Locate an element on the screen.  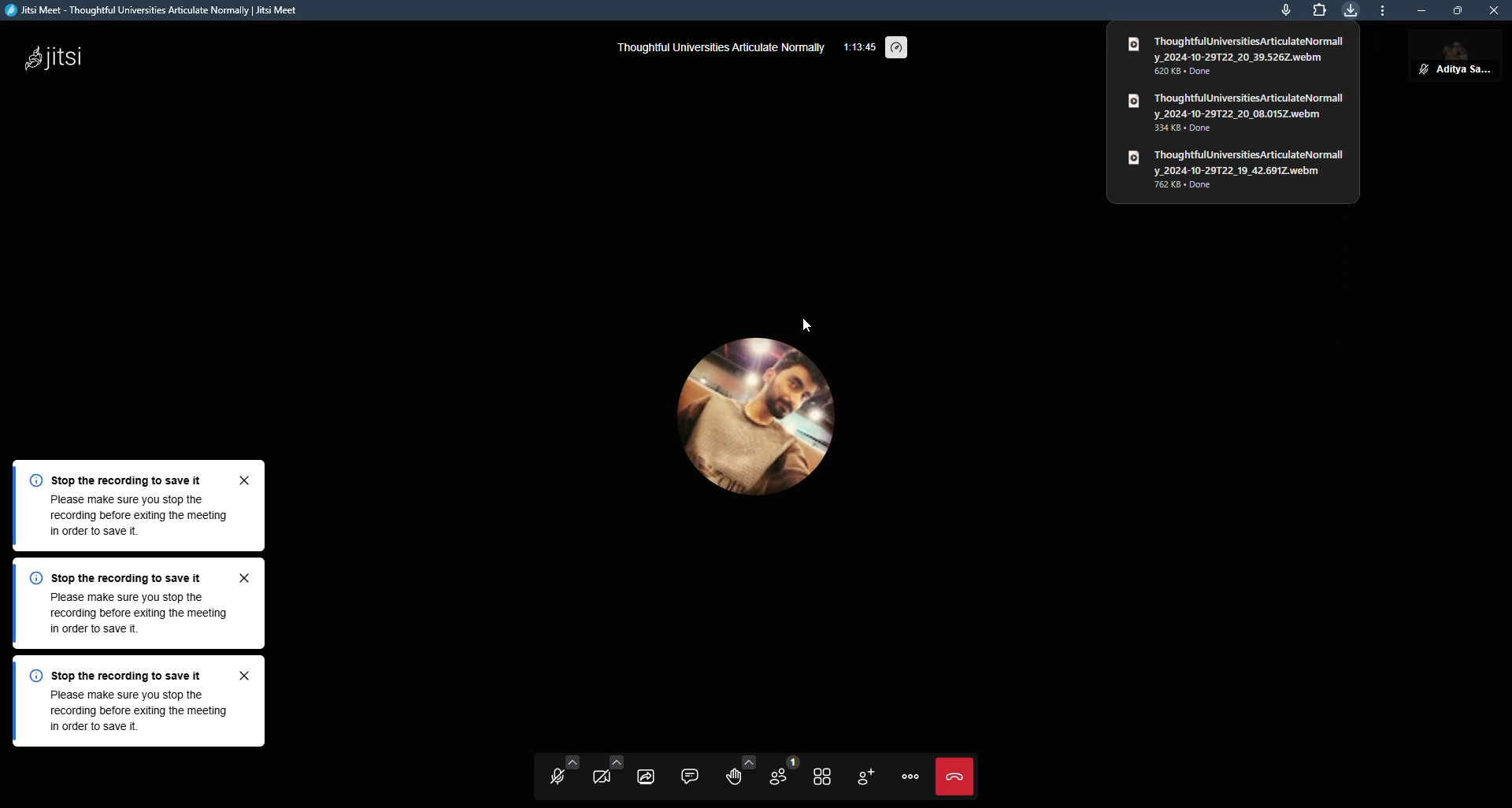
thoughtful universities articulate normally is located at coordinates (723, 53).